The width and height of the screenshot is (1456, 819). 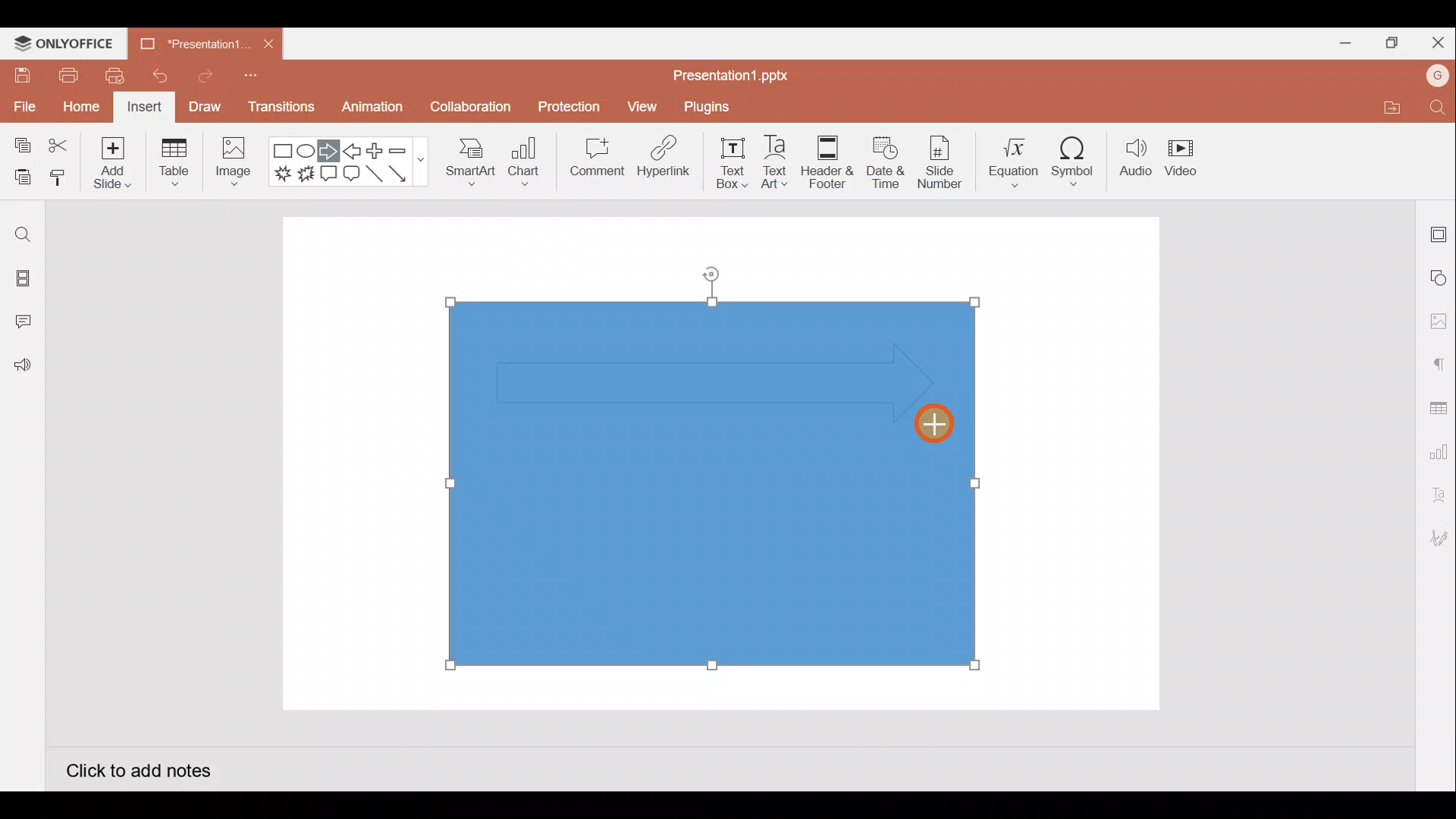 What do you see at coordinates (59, 146) in the screenshot?
I see `Cut` at bounding box center [59, 146].